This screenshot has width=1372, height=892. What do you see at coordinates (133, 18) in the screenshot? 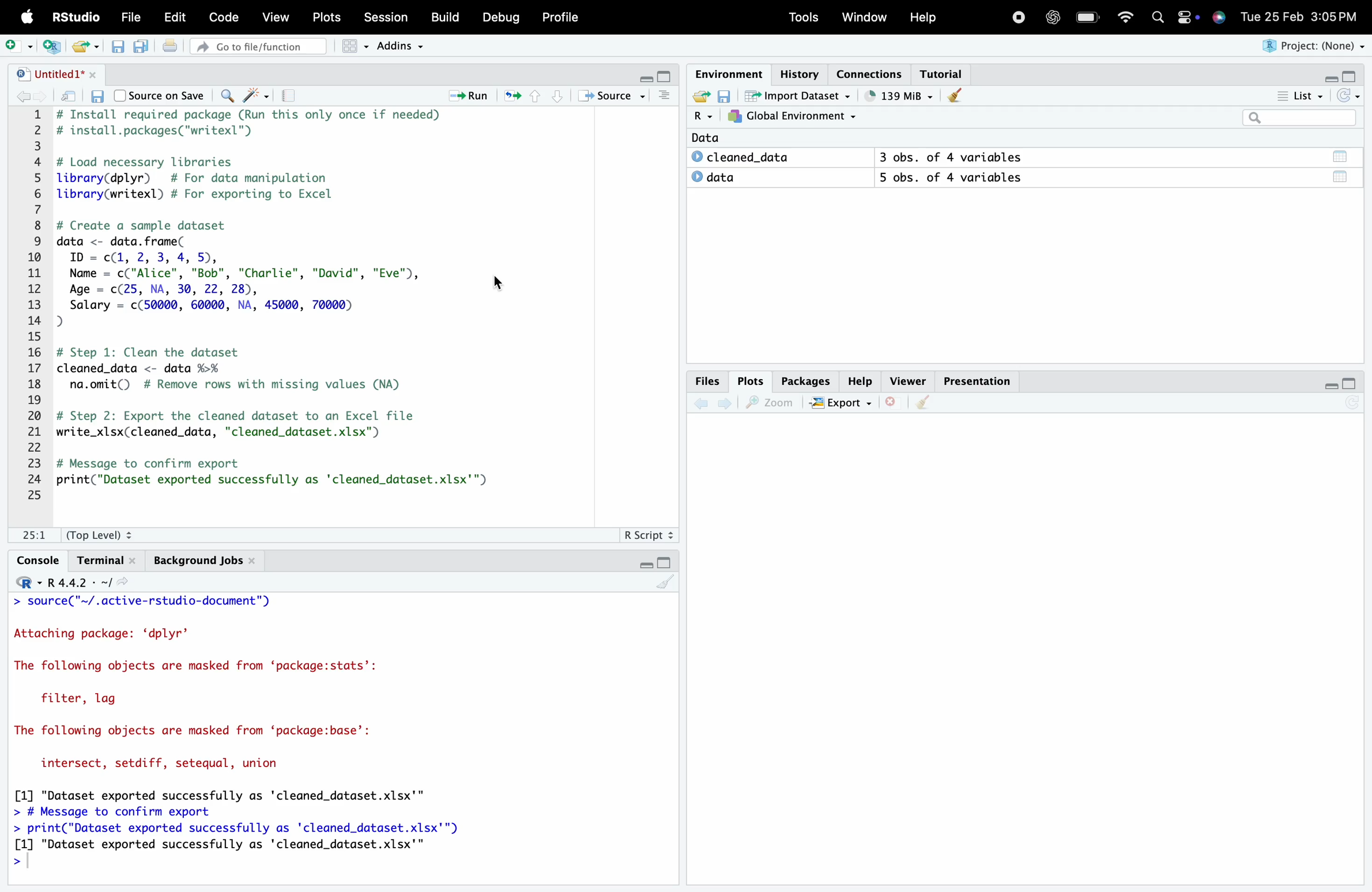
I see `File` at bounding box center [133, 18].